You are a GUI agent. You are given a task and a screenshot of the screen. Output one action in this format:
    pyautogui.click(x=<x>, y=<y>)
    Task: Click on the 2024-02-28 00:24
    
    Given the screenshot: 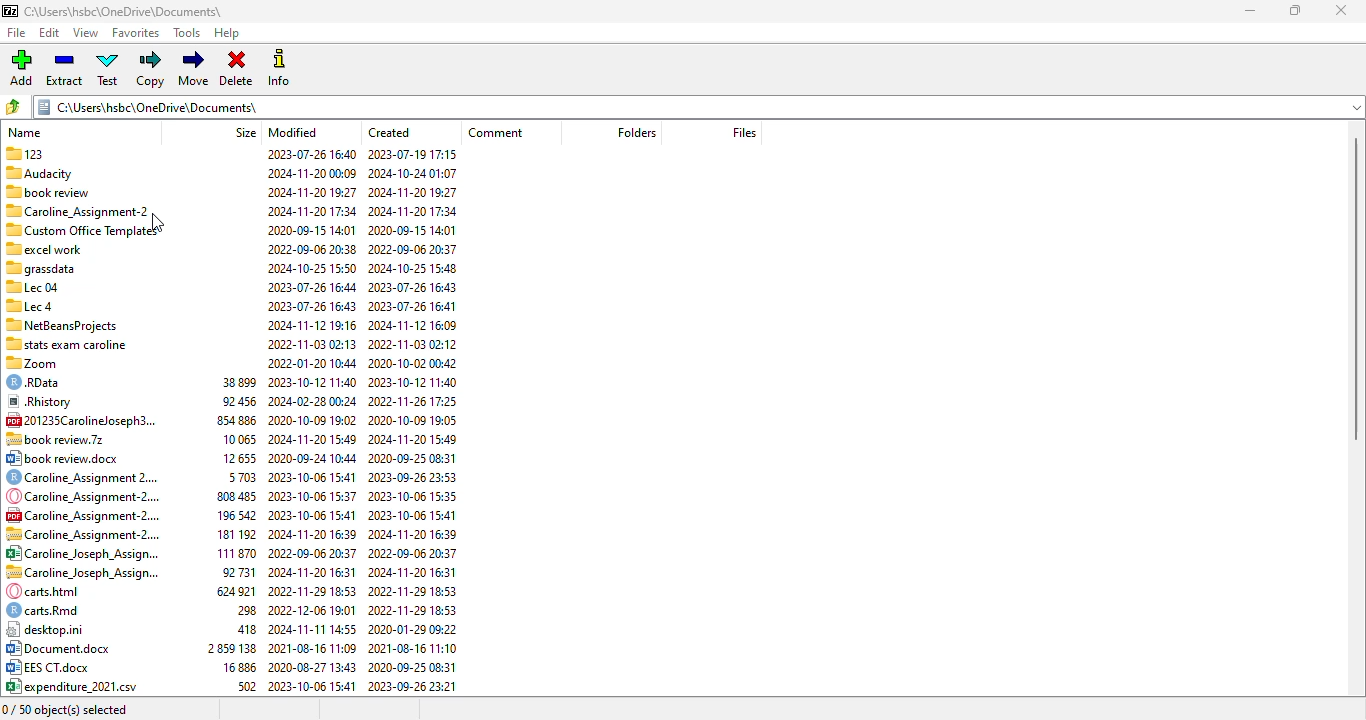 What is the action you would take?
    pyautogui.click(x=312, y=401)
    